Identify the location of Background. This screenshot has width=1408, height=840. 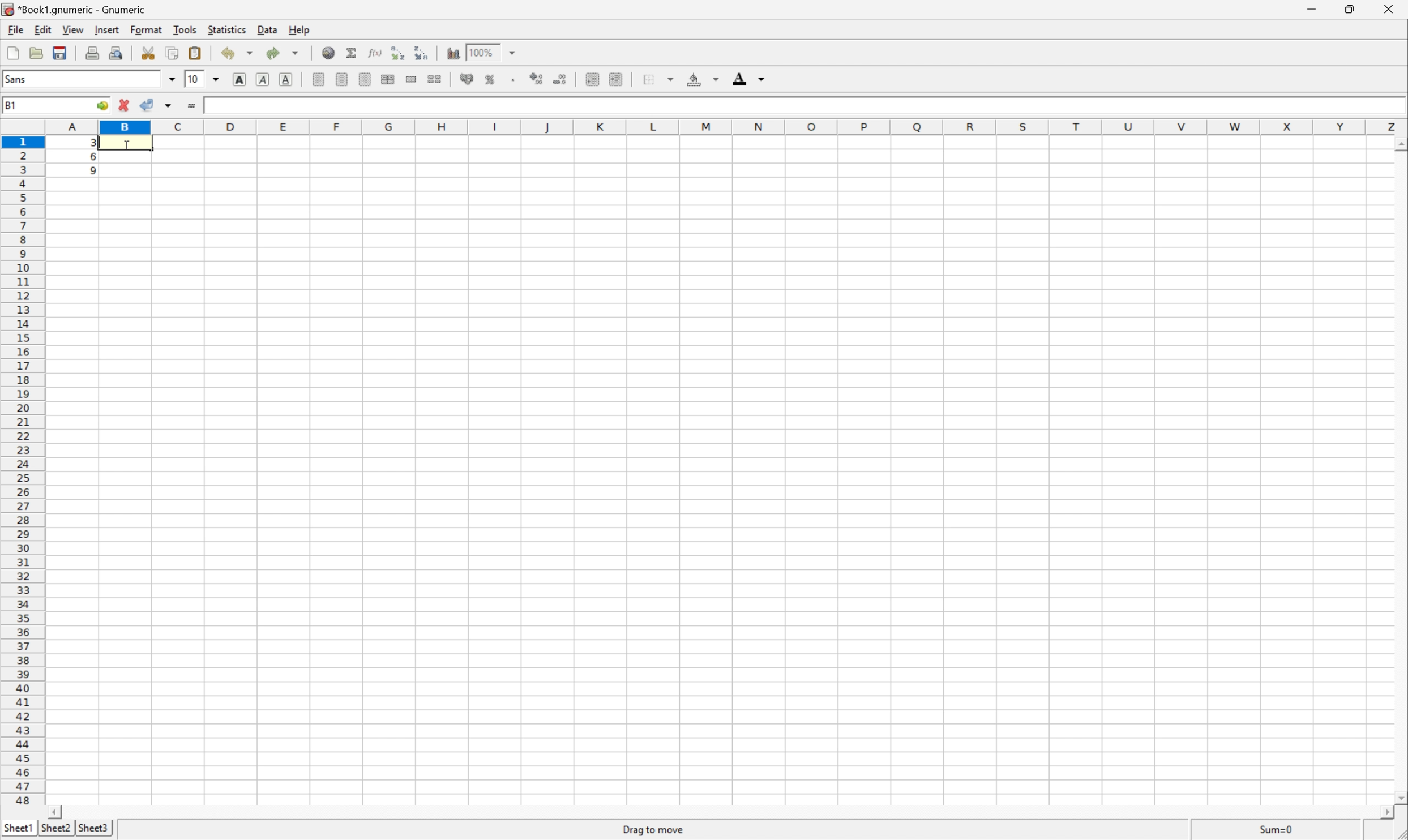
(701, 79).